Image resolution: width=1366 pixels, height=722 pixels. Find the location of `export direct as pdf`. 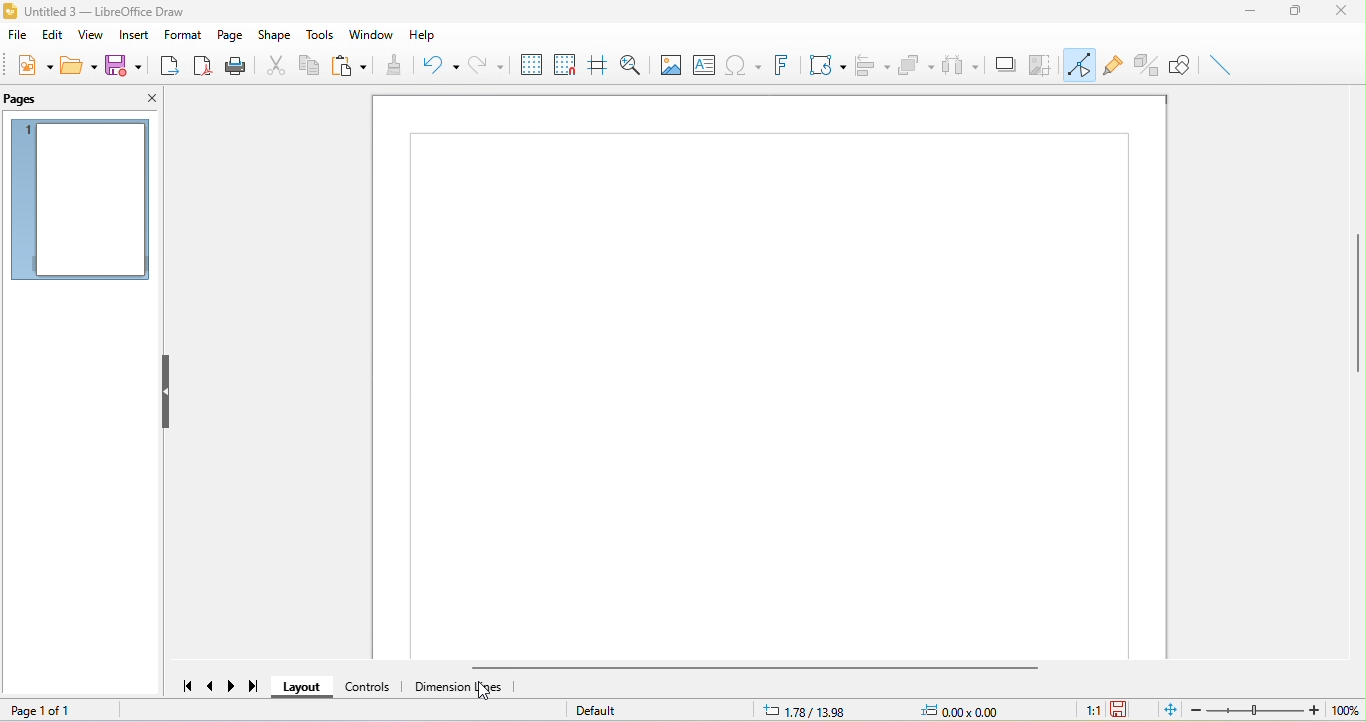

export direct as pdf is located at coordinates (203, 65).